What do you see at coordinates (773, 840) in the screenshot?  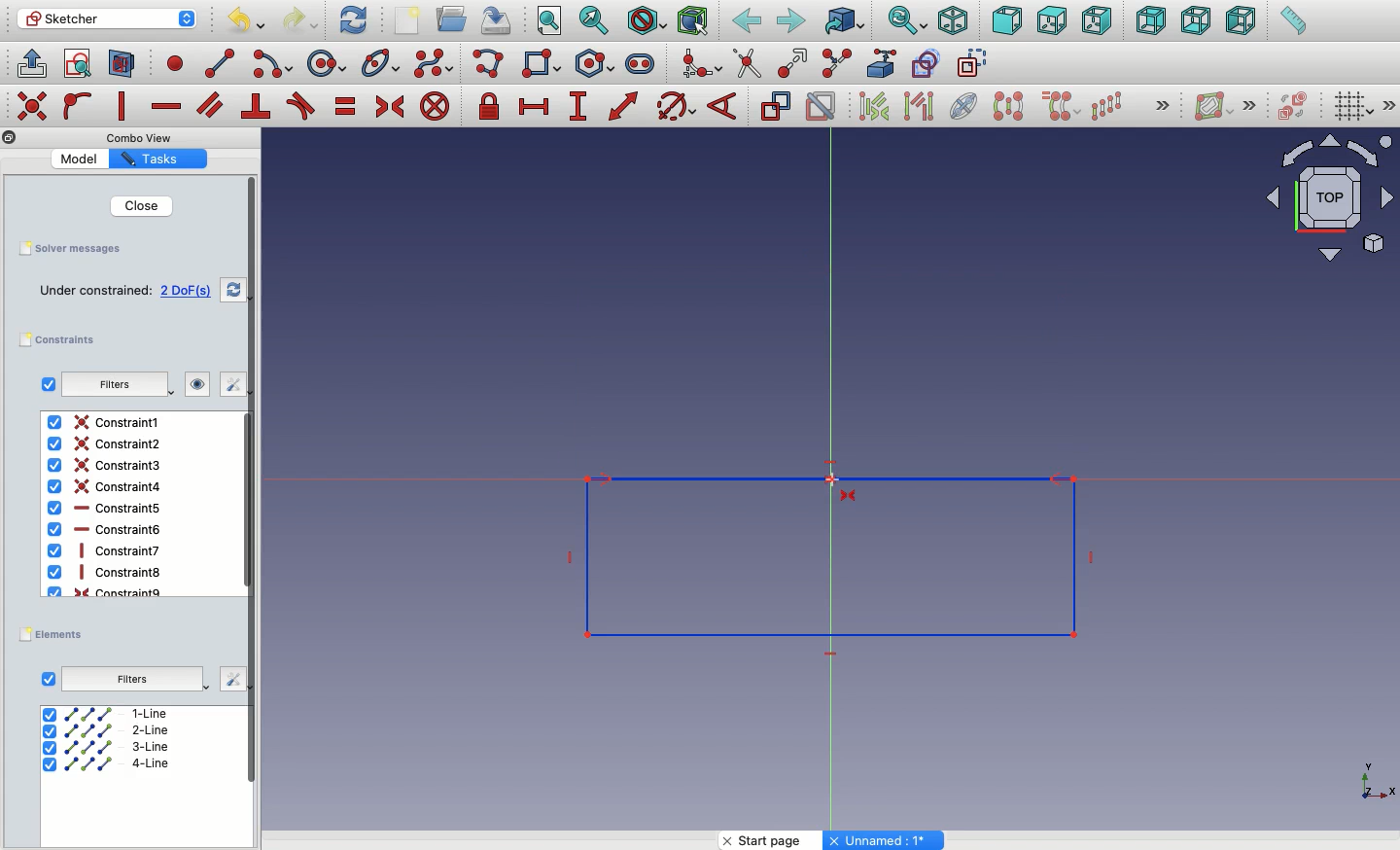 I see `Start page` at bounding box center [773, 840].